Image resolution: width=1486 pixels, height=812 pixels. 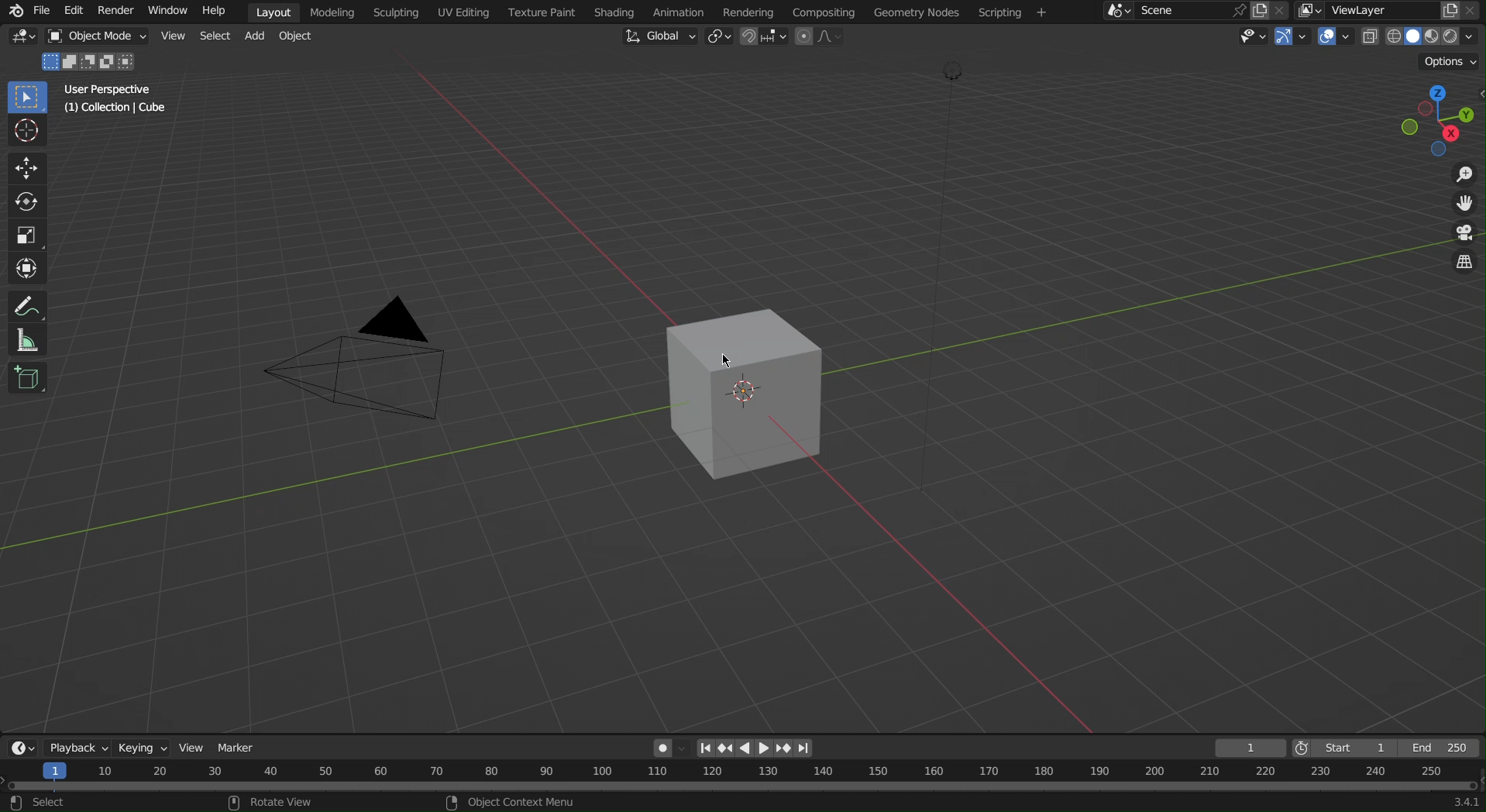 I want to click on Object Mode, so click(x=98, y=37).